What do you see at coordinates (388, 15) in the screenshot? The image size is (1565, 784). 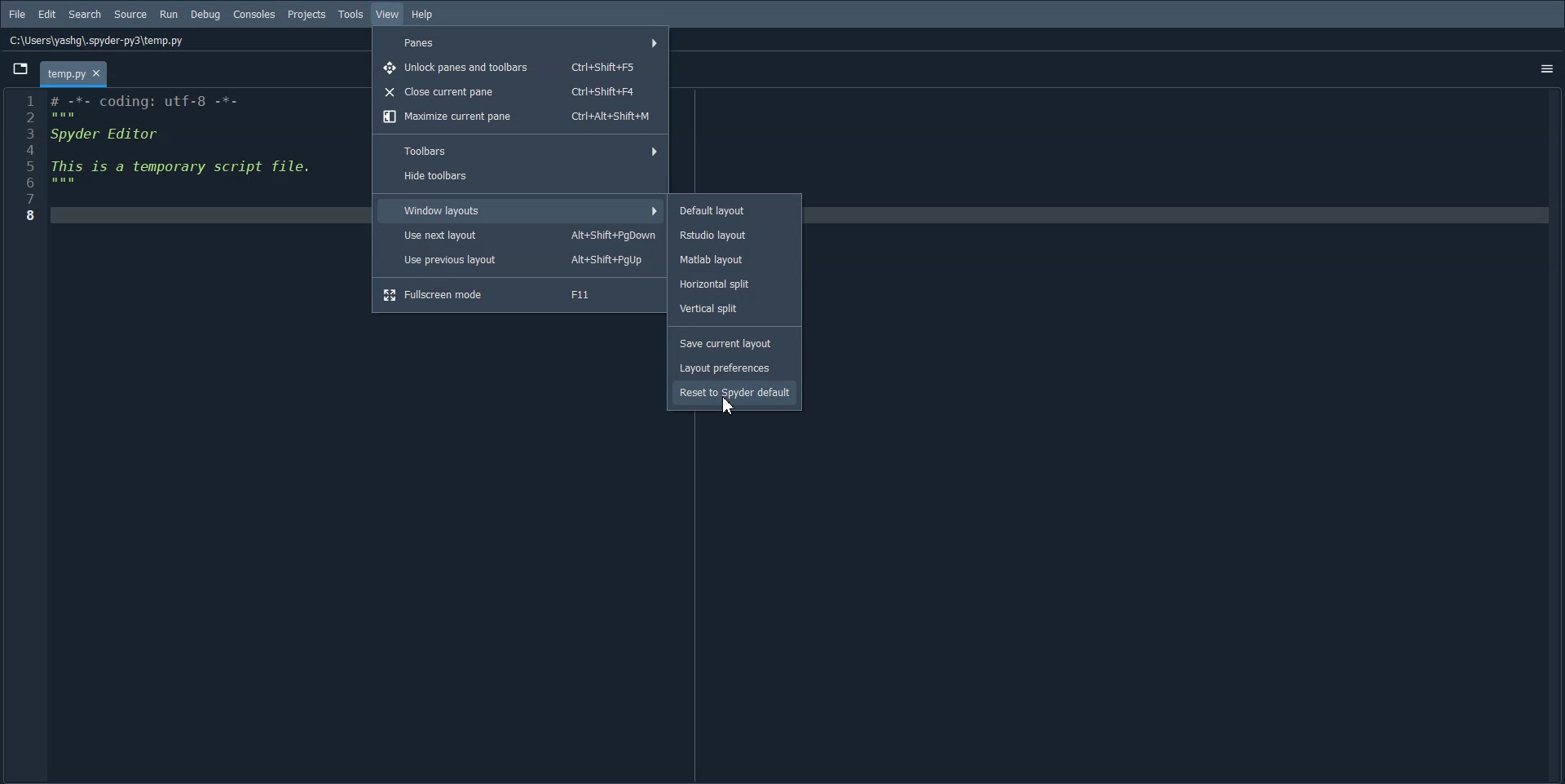 I see `View` at bounding box center [388, 15].